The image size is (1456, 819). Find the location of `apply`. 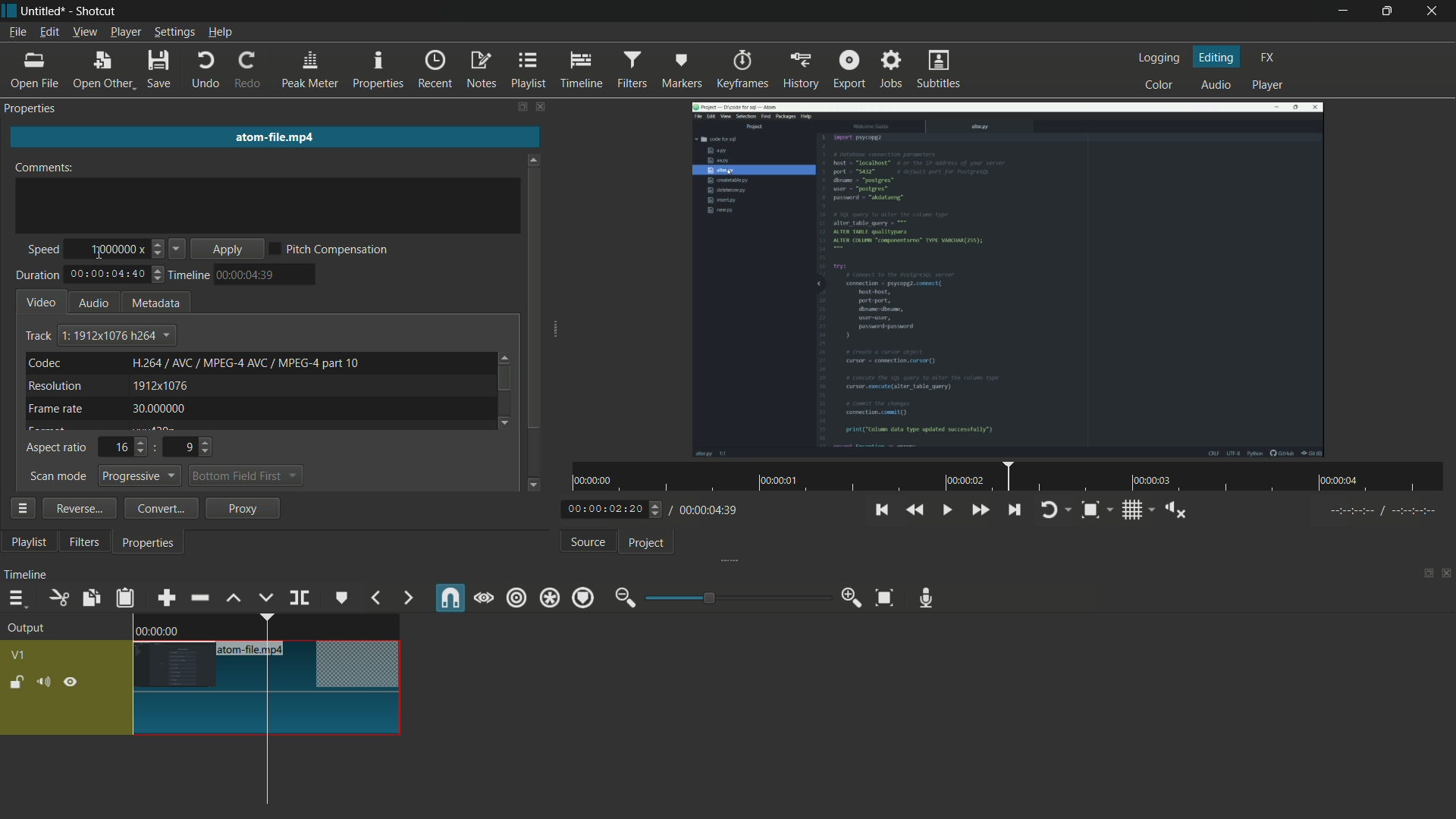

apply is located at coordinates (227, 249).